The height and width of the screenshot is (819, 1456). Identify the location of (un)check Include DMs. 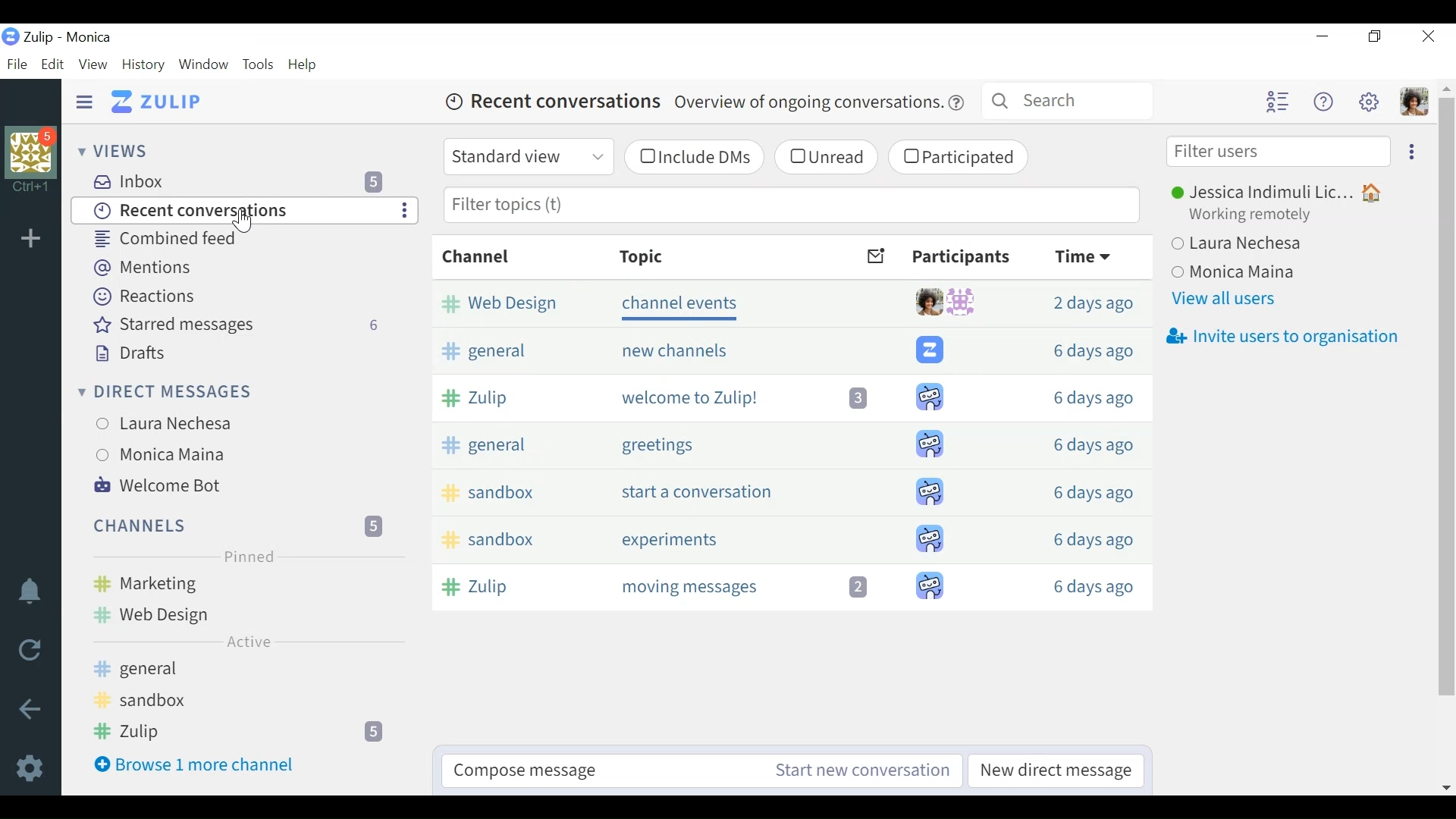
(692, 158).